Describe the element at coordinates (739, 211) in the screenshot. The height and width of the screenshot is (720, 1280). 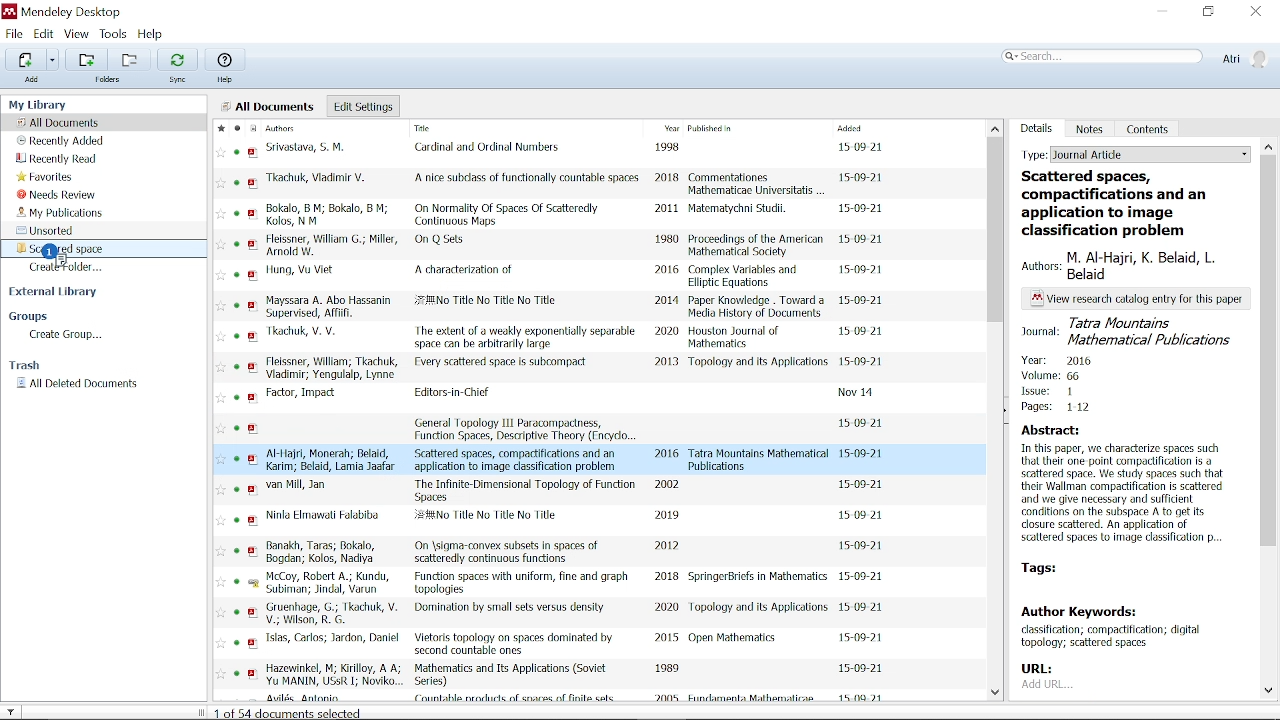
I see `Matematychni Studil` at that location.